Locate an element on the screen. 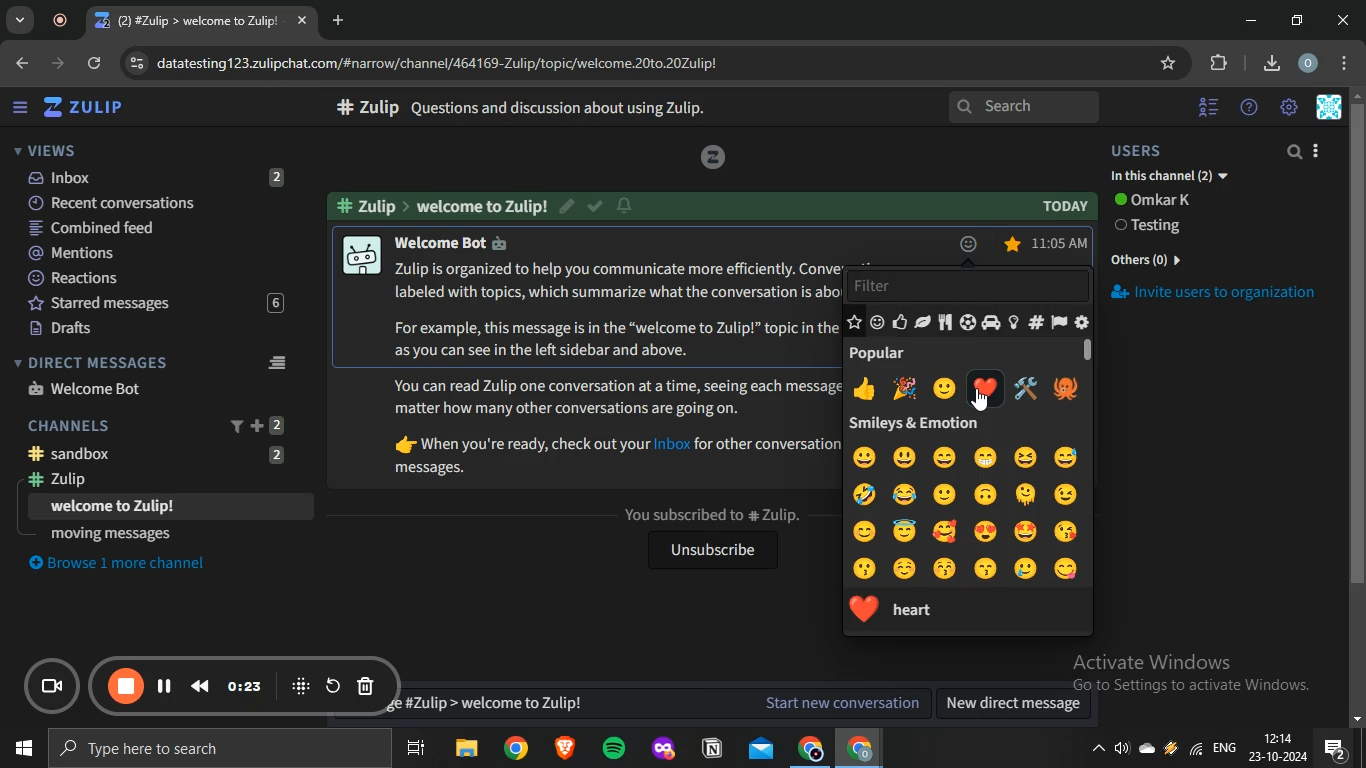  winamp agent is located at coordinates (1171, 753).